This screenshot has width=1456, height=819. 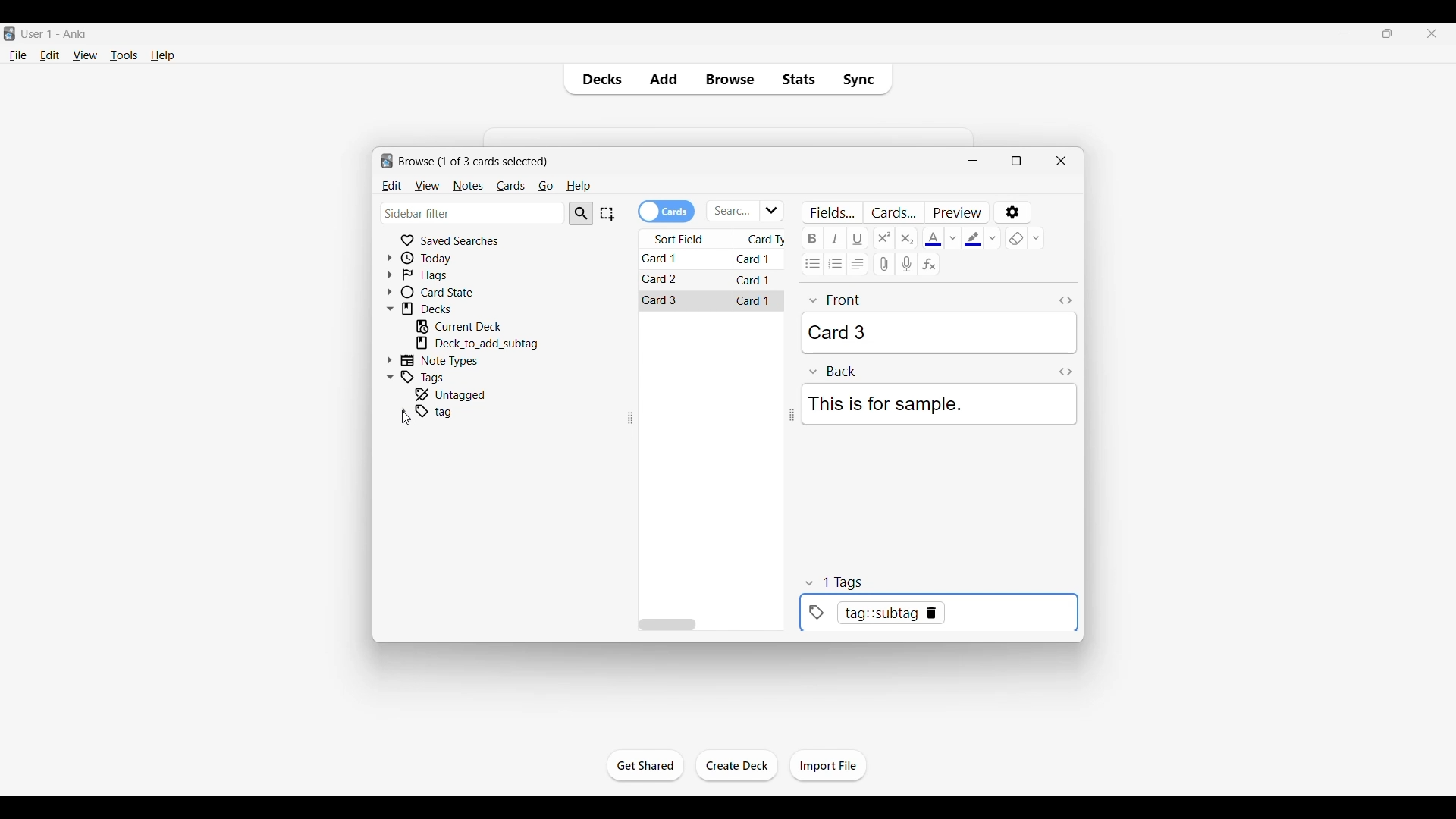 I want to click on Toggle cards/notes, so click(x=666, y=212).